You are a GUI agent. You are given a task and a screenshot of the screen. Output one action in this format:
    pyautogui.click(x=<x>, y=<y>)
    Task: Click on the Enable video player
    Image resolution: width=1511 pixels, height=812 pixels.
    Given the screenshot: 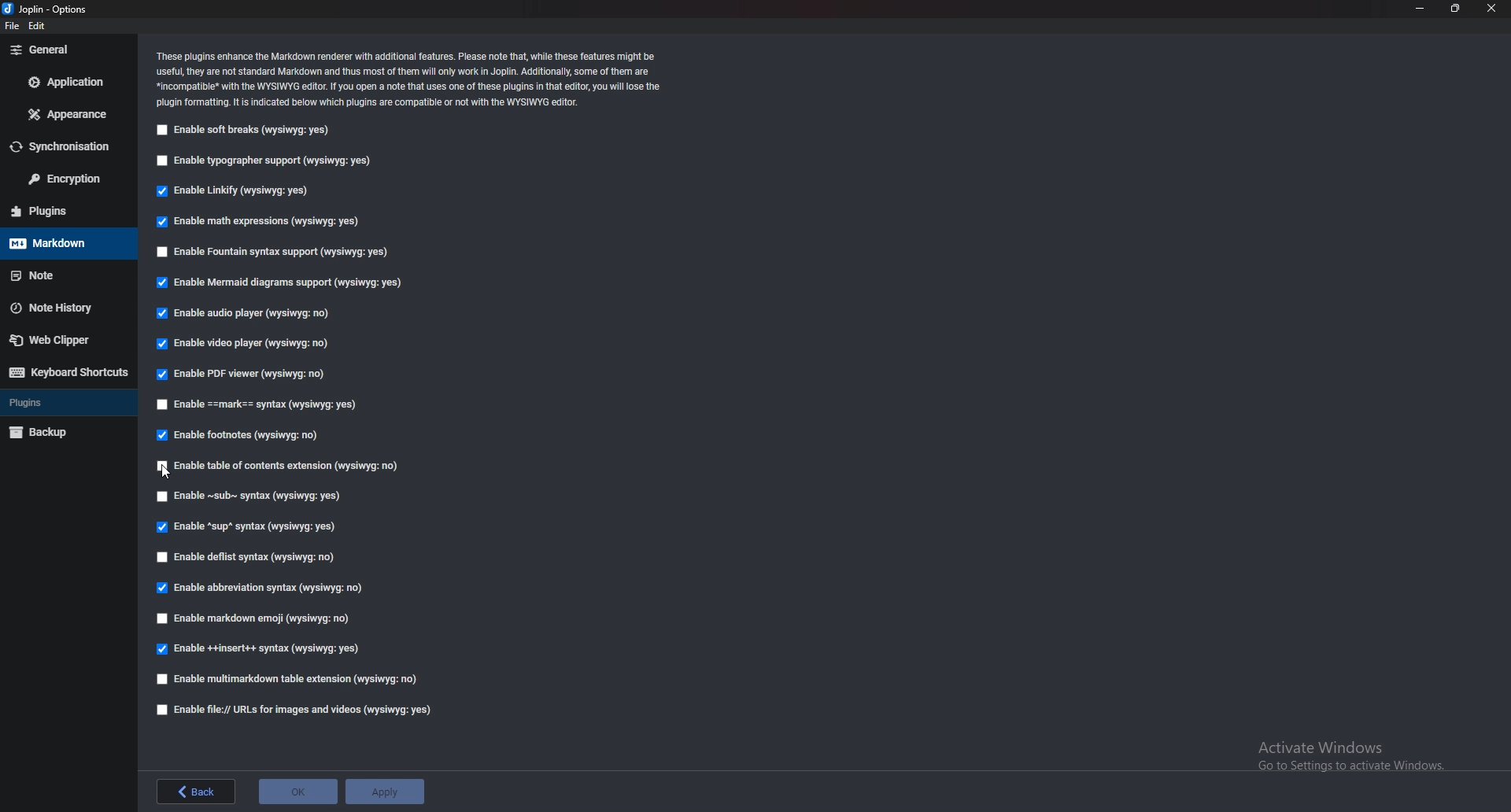 What is the action you would take?
    pyautogui.click(x=243, y=341)
    